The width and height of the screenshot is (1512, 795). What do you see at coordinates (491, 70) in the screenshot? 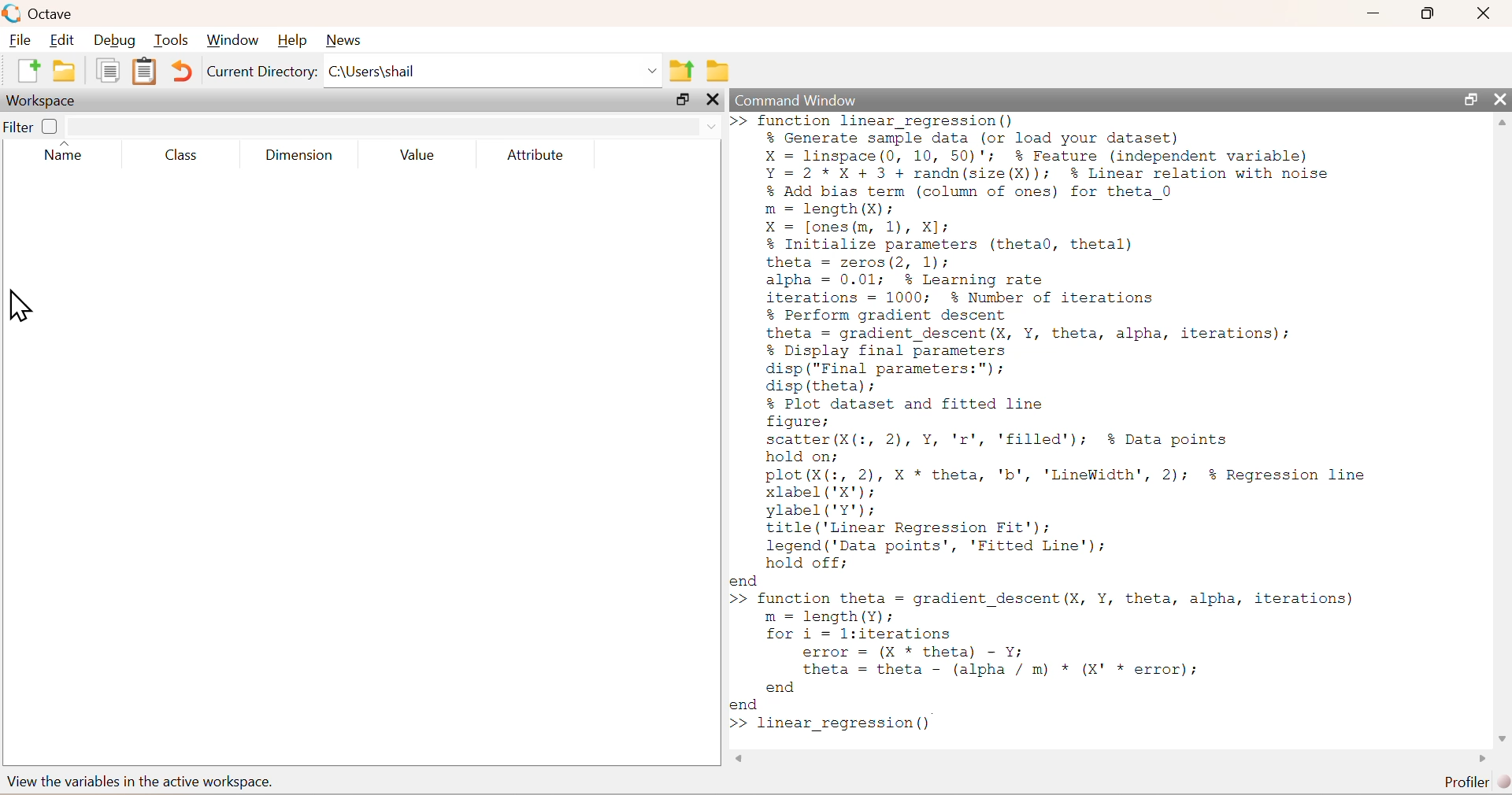
I see `C:\Users|shail` at bounding box center [491, 70].